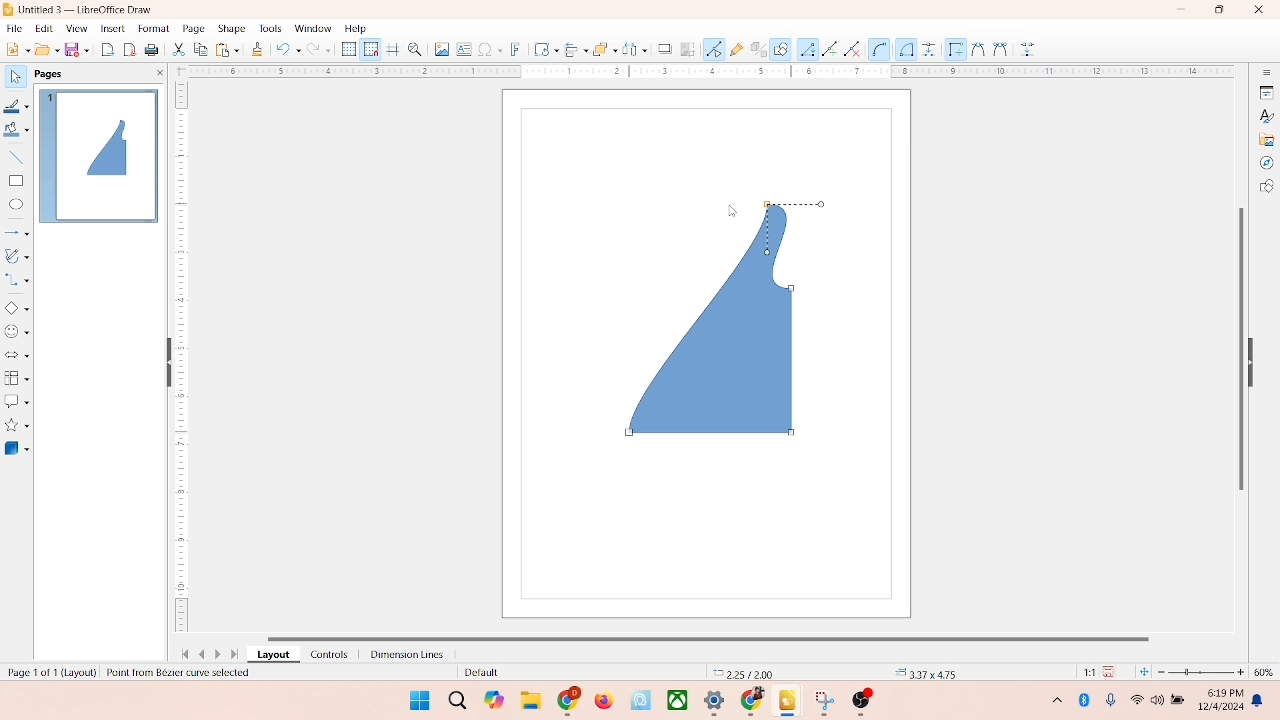  I want to click on vertical scroll bar, so click(1239, 347).